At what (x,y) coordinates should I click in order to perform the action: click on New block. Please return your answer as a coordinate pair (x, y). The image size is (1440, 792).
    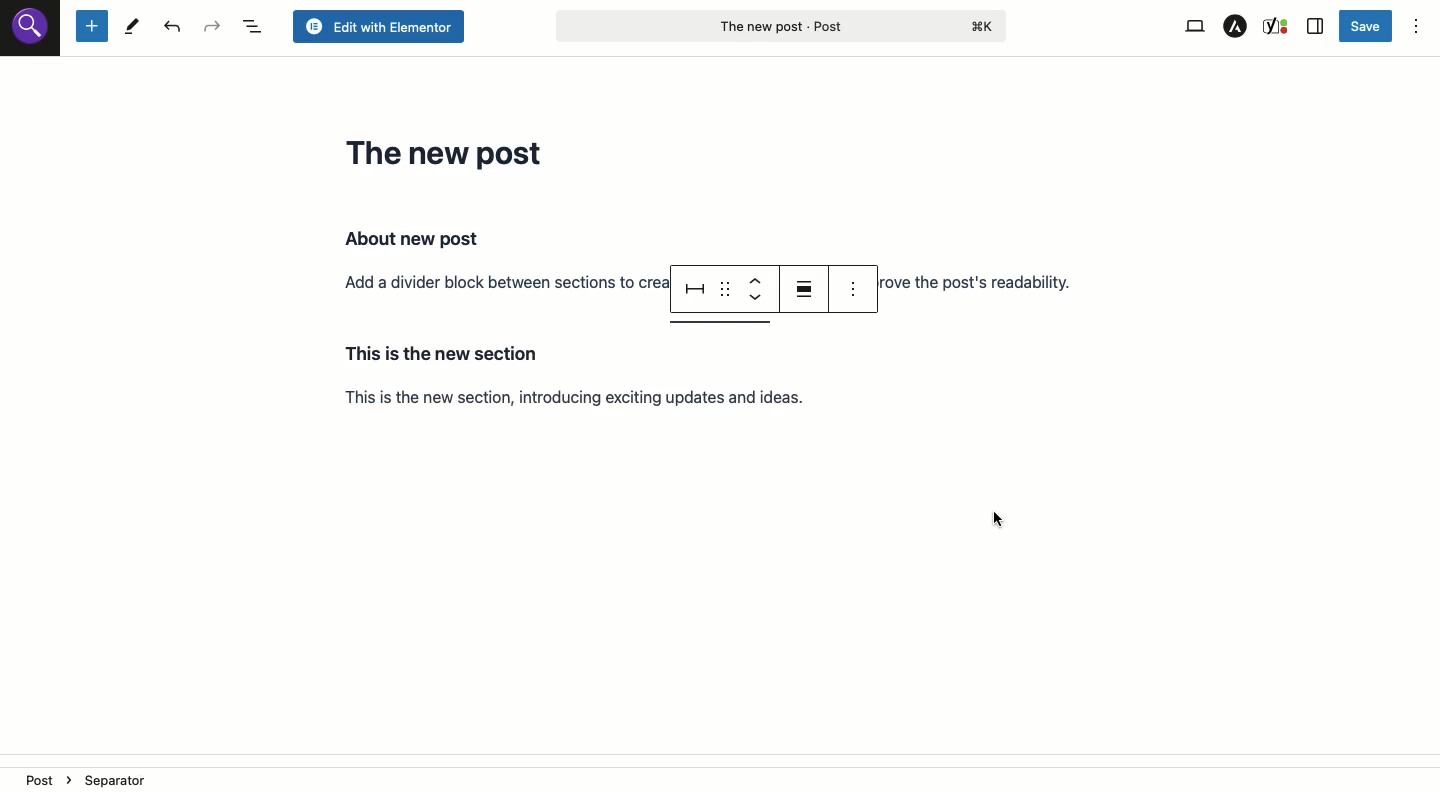
    Looking at the image, I should click on (91, 27).